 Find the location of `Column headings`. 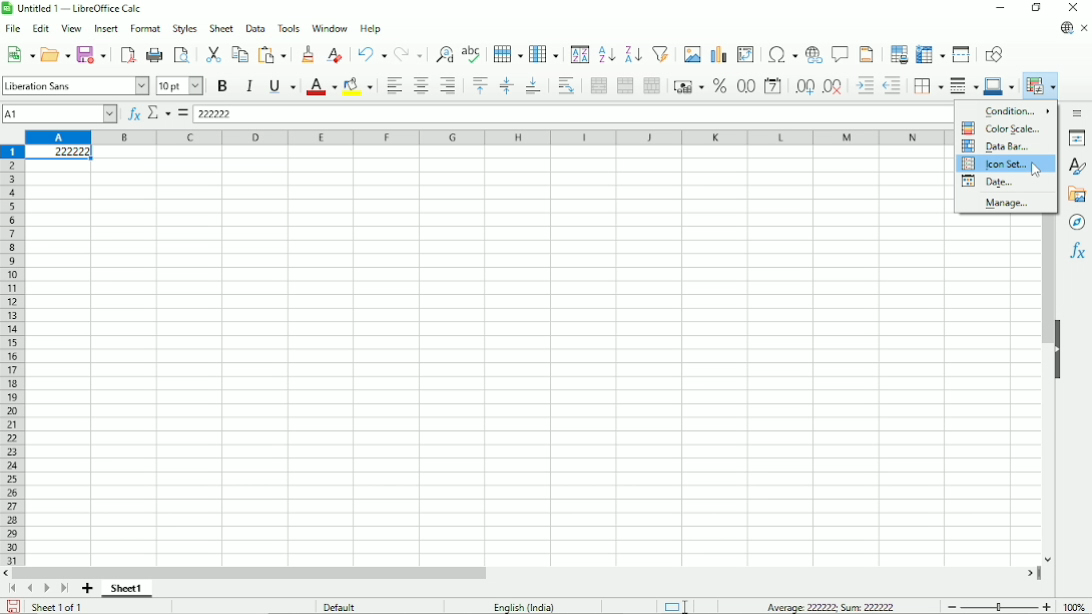

Column headings is located at coordinates (487, 136).